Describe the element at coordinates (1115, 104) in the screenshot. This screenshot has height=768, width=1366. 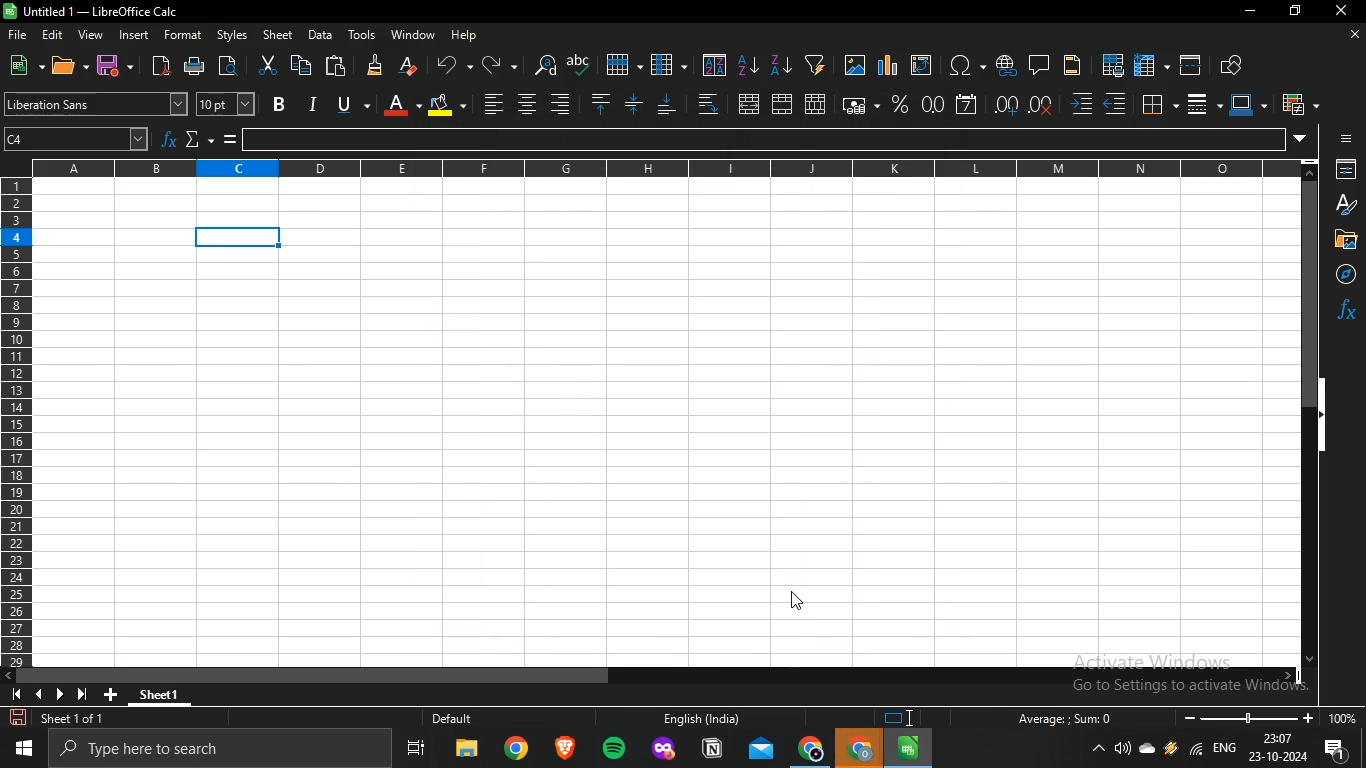
I see `decrease indent` at that location.